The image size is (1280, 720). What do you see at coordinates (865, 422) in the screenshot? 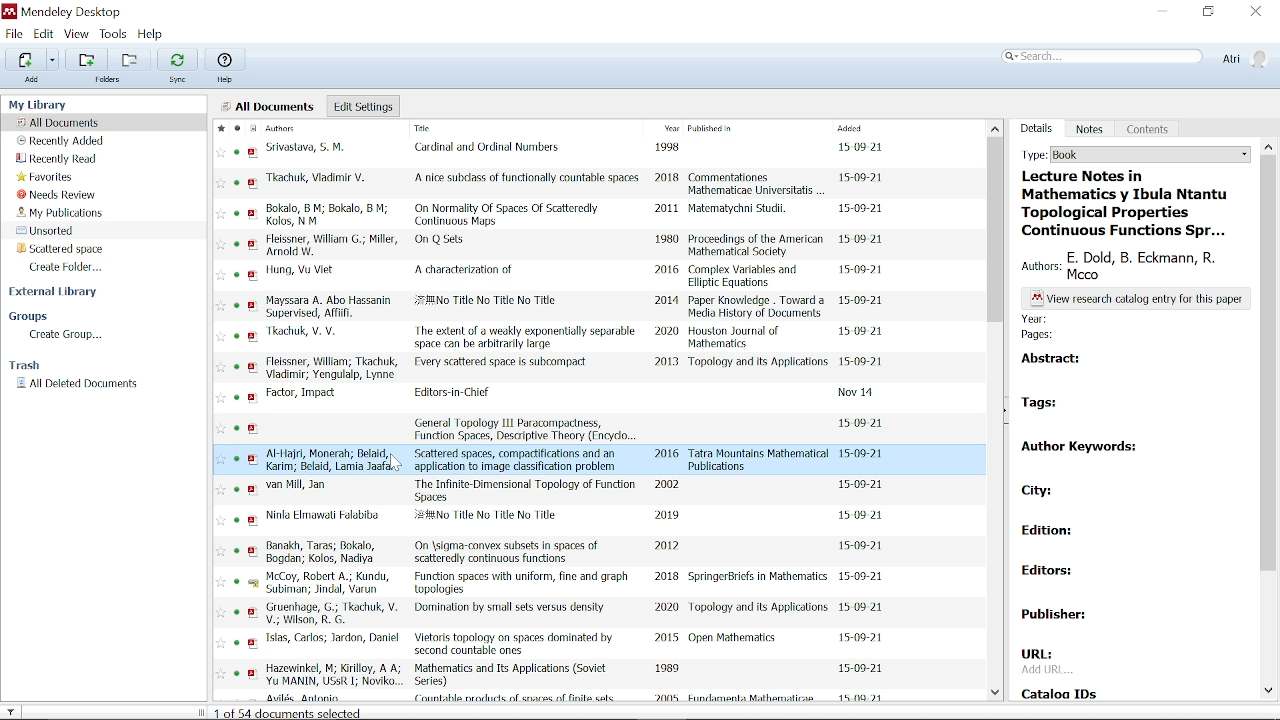
I see `date` at bounding box center [865, 422].